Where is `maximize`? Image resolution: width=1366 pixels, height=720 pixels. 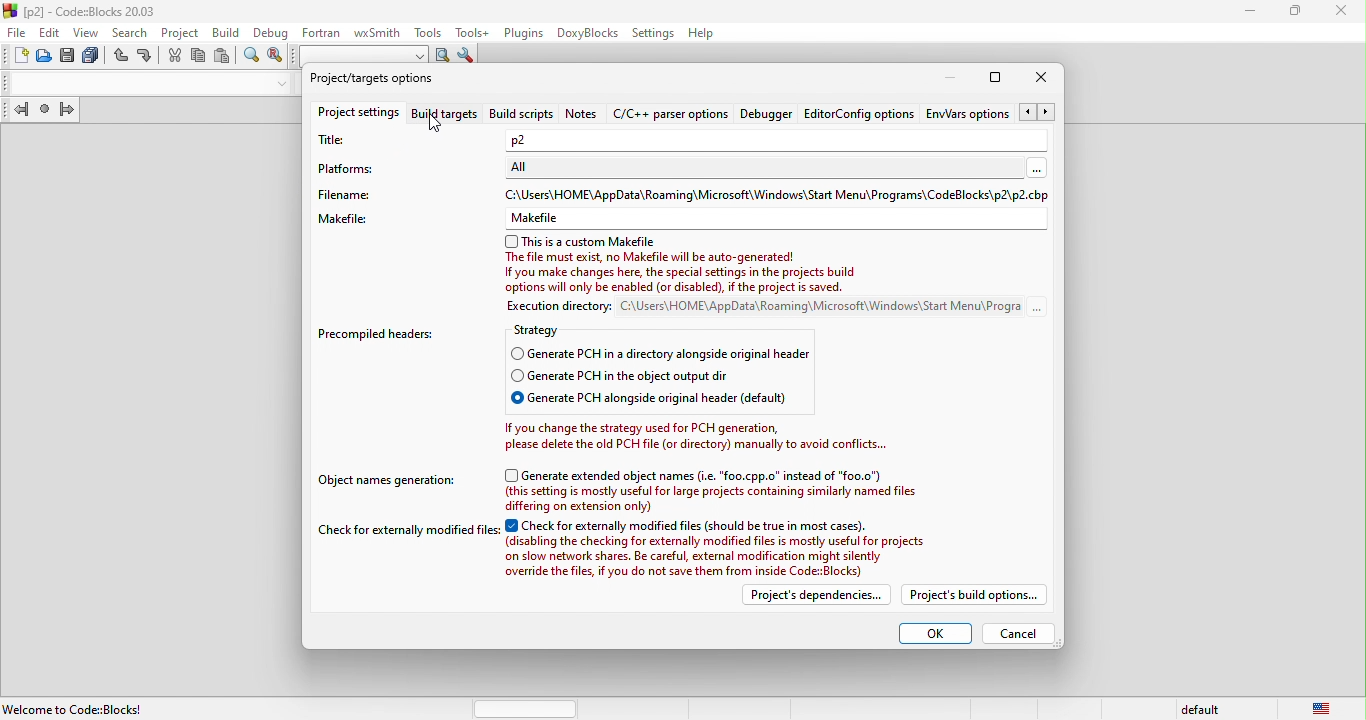
maximize is located at coordinates (1296, 12).